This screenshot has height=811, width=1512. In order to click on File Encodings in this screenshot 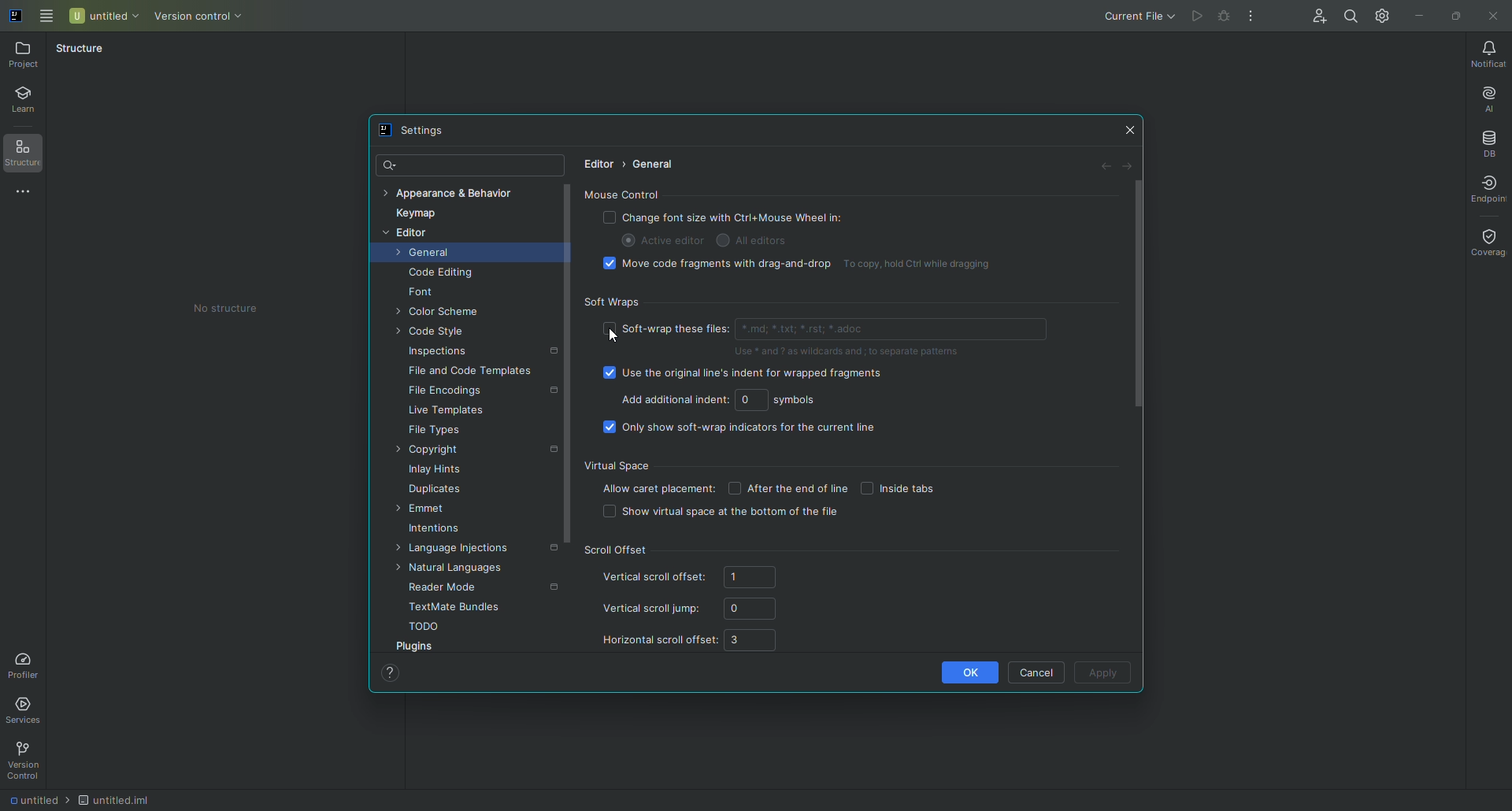, I will do `click(450, 393)`.